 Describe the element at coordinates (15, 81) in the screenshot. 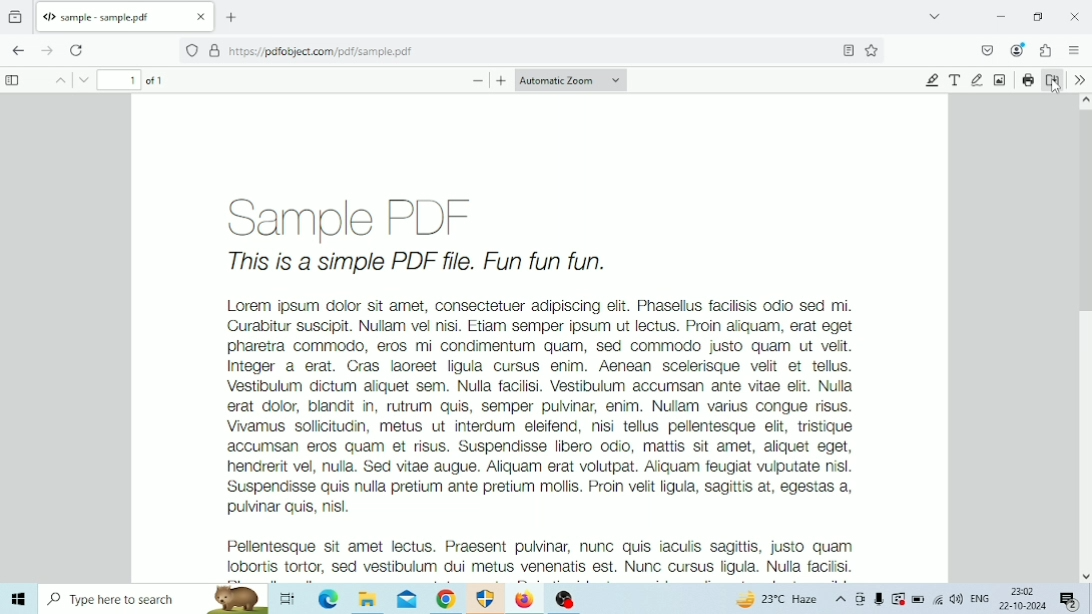

I see `Toggle Sidebar` at that location.